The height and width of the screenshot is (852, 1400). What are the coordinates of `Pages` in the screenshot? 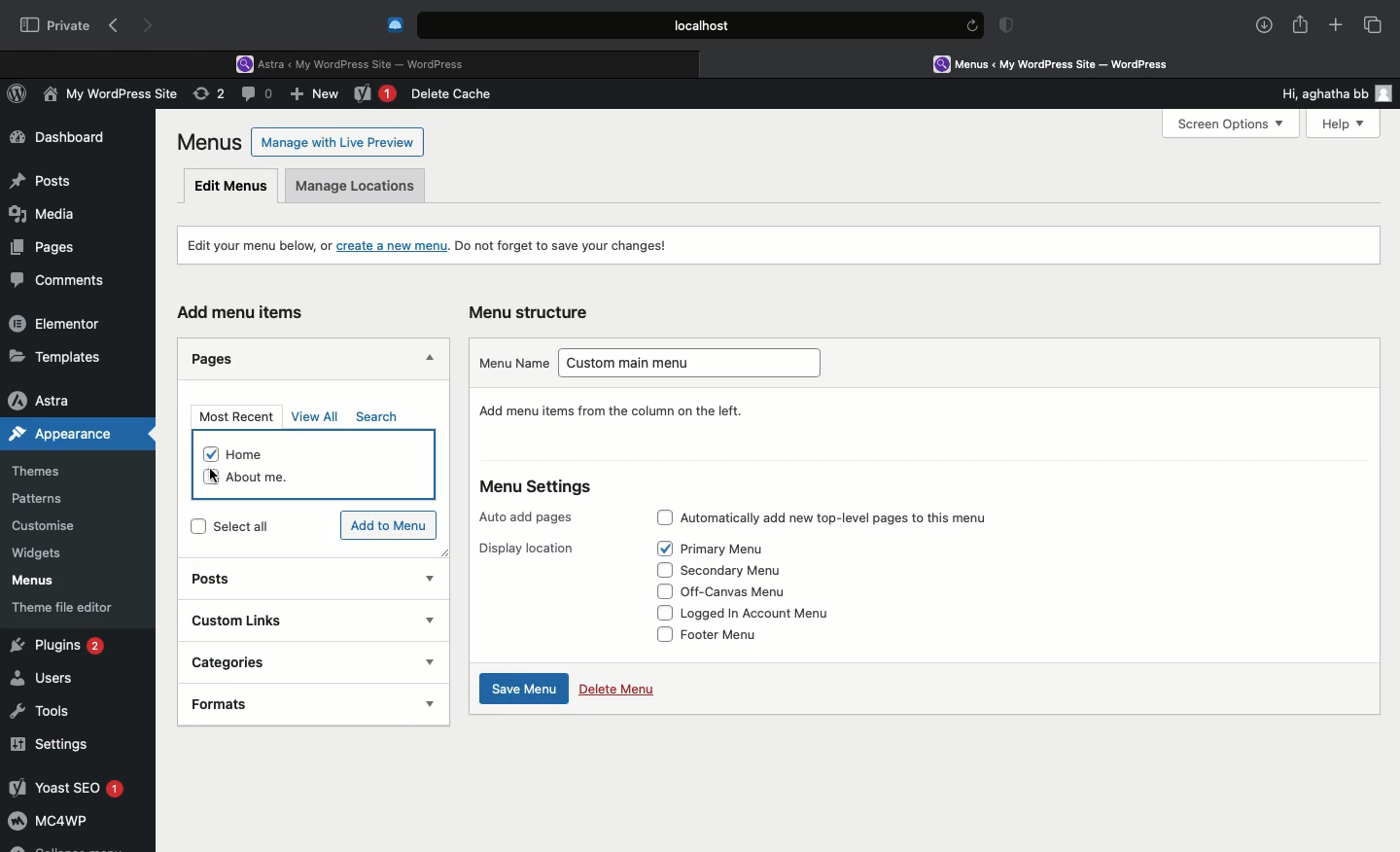 It's located at (39, 246).